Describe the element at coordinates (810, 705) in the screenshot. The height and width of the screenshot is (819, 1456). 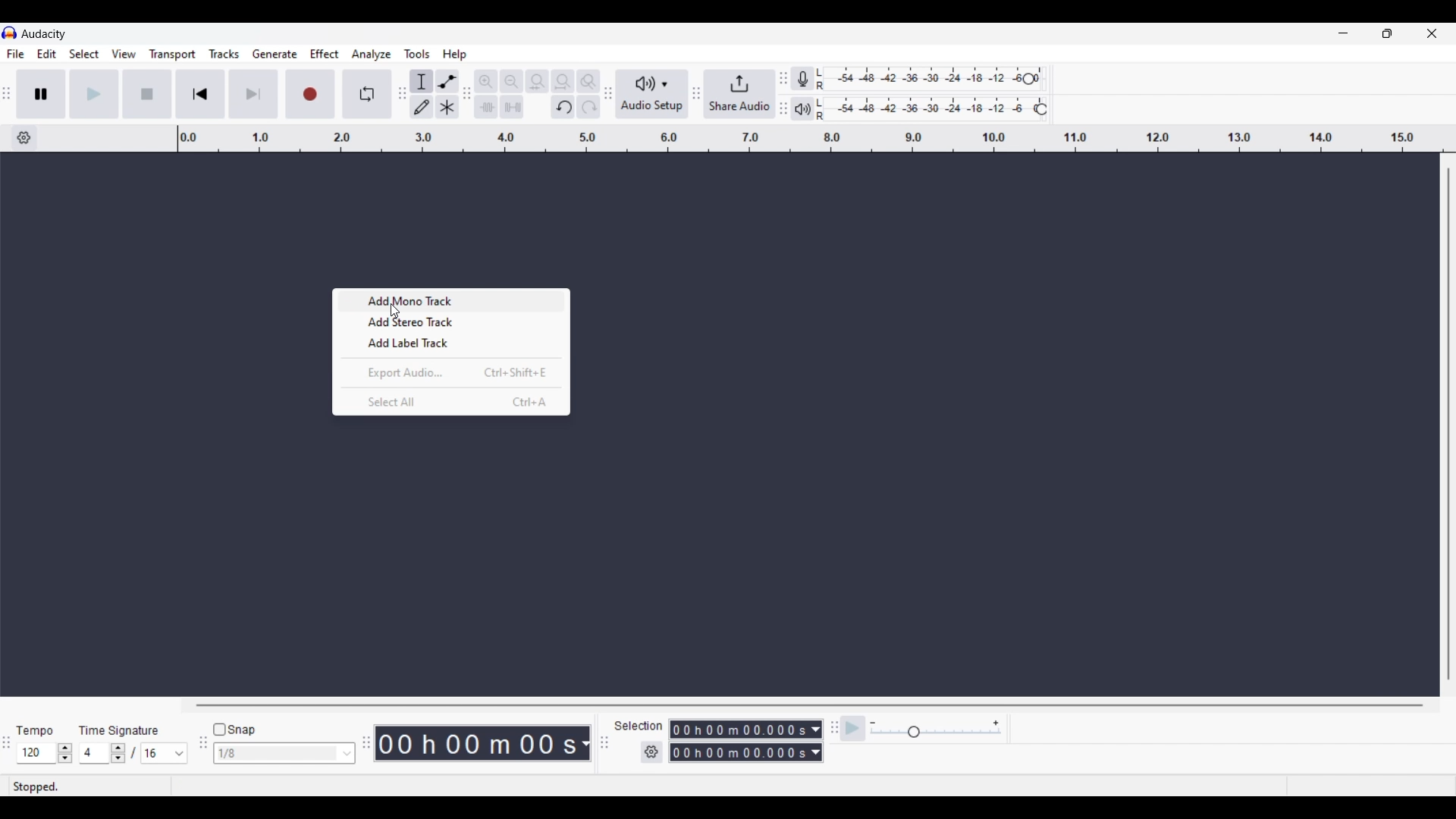
I see `Horizontal slide bar` at that location.